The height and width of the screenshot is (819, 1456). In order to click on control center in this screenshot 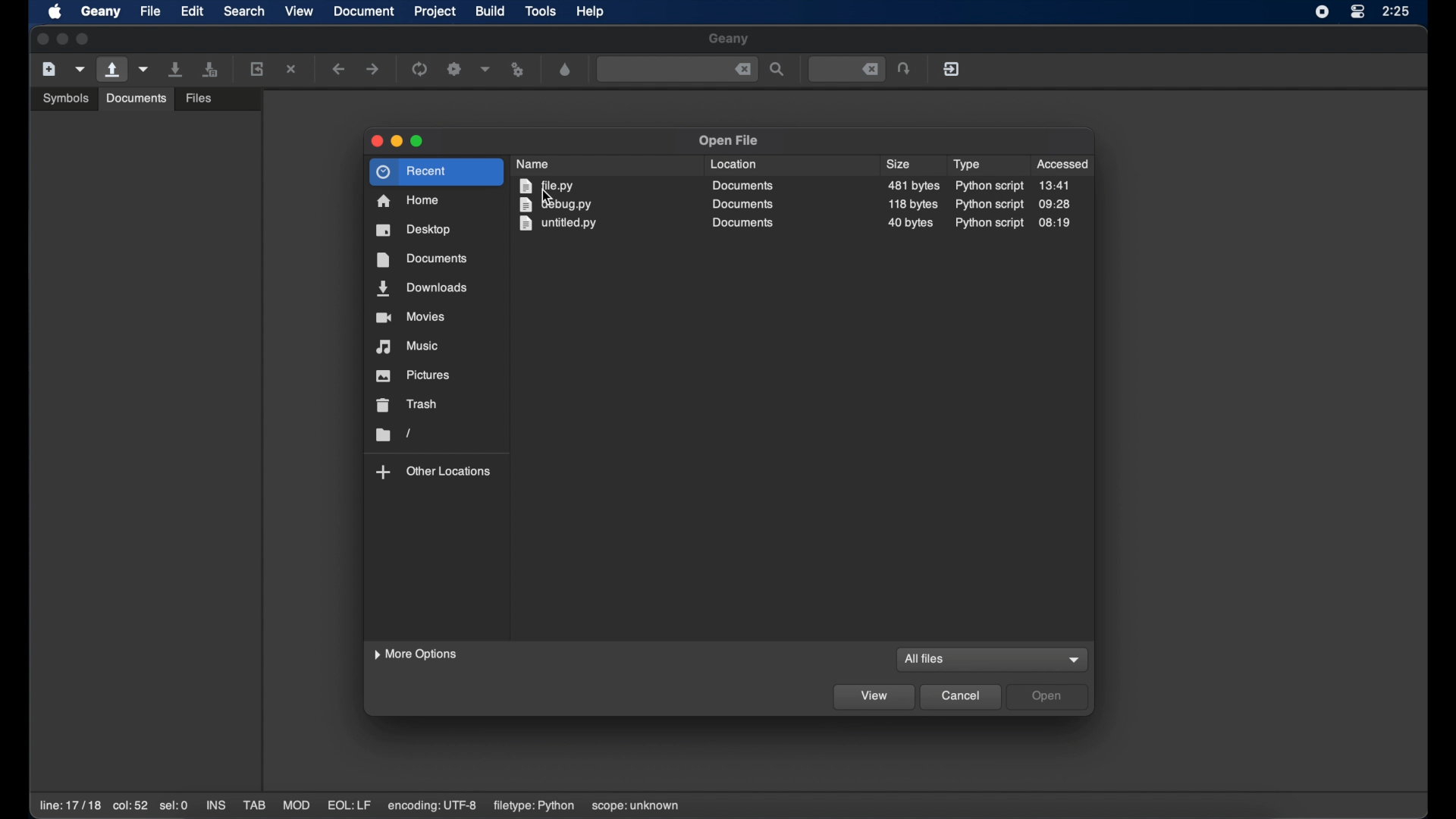, I will do `click(1357, 11)`.